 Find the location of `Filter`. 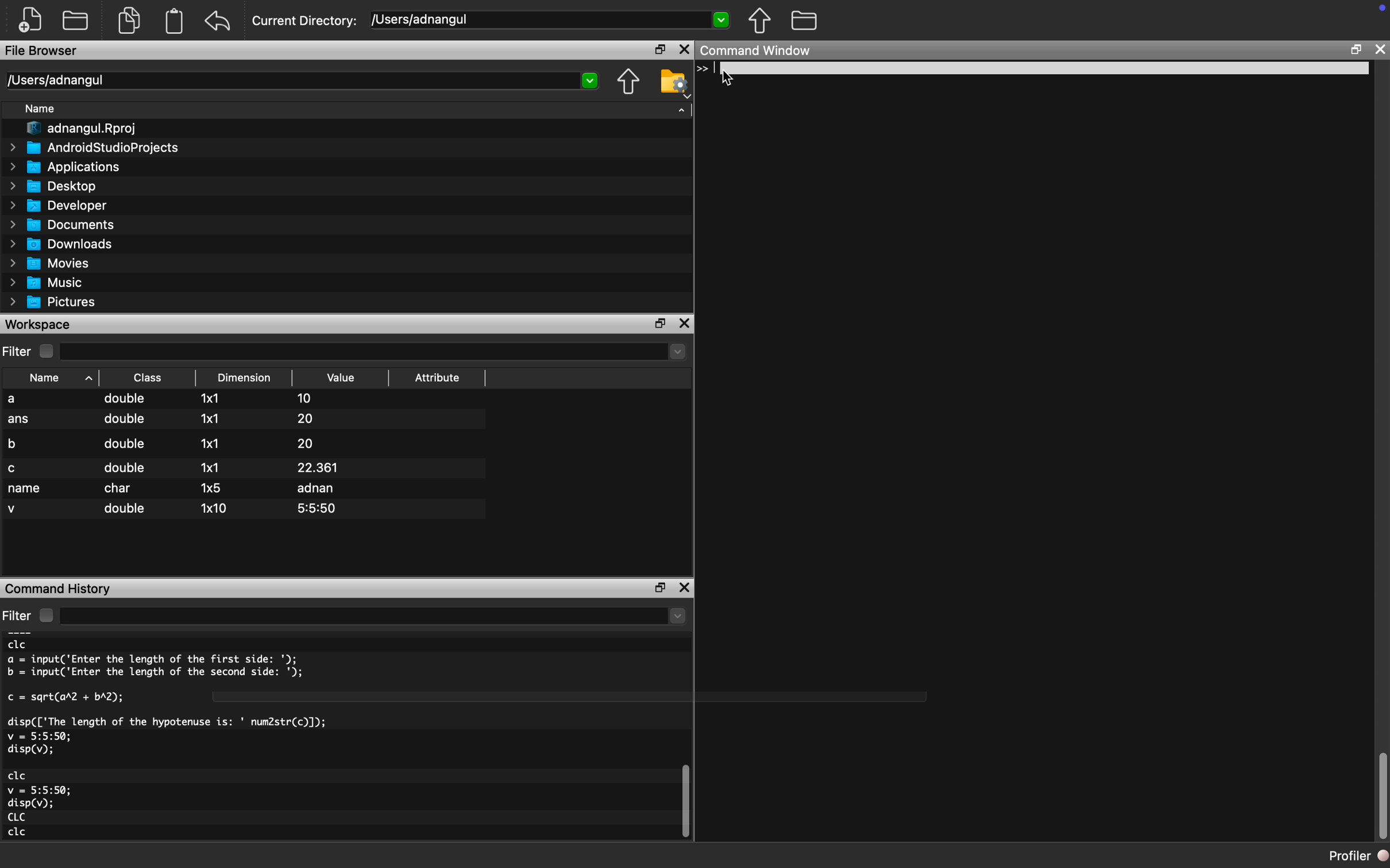

Filter is located at coordinates (33, 614).